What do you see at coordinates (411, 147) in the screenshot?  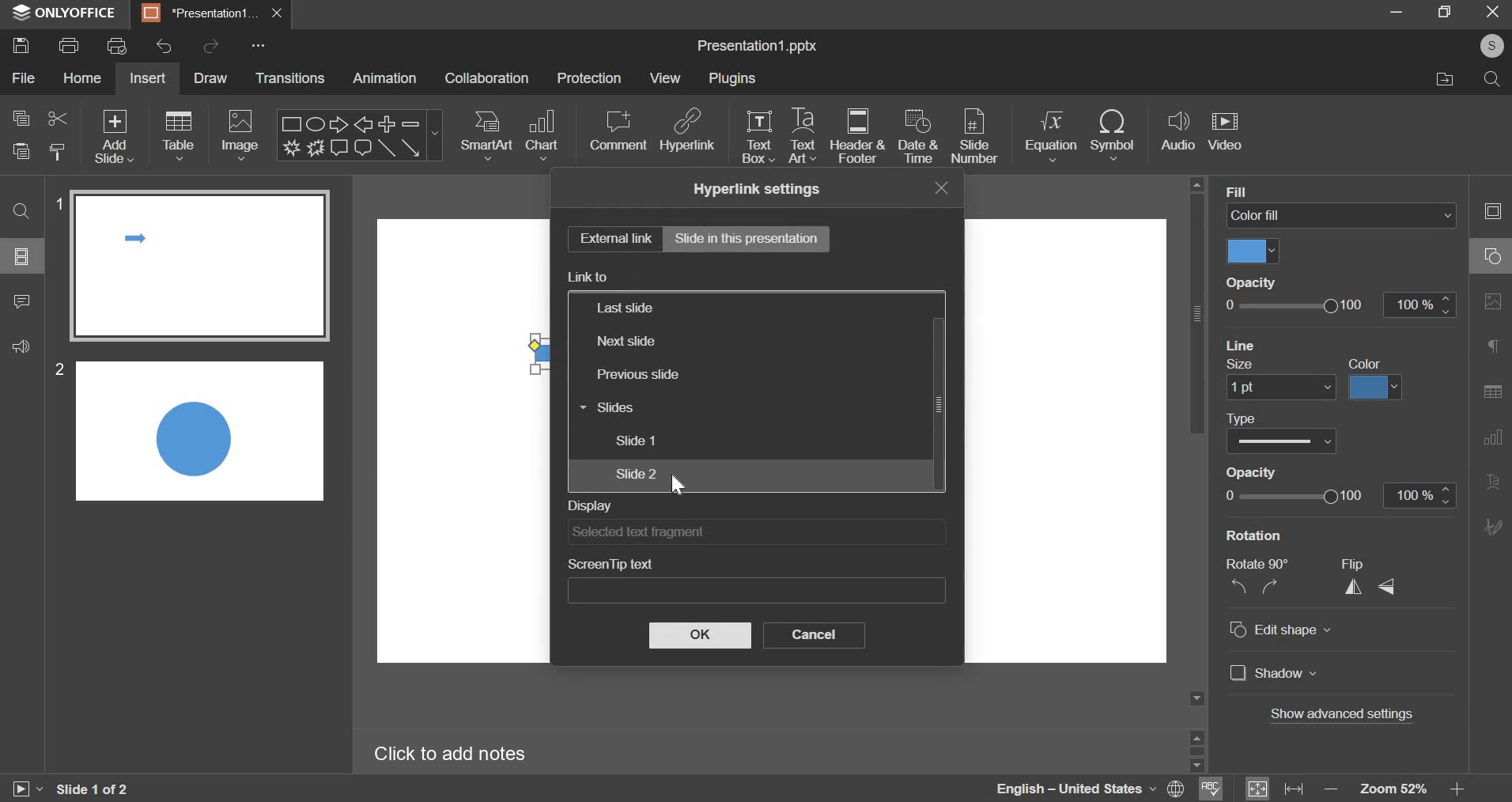 I see `Arrow` at bounding box center [411, 147].